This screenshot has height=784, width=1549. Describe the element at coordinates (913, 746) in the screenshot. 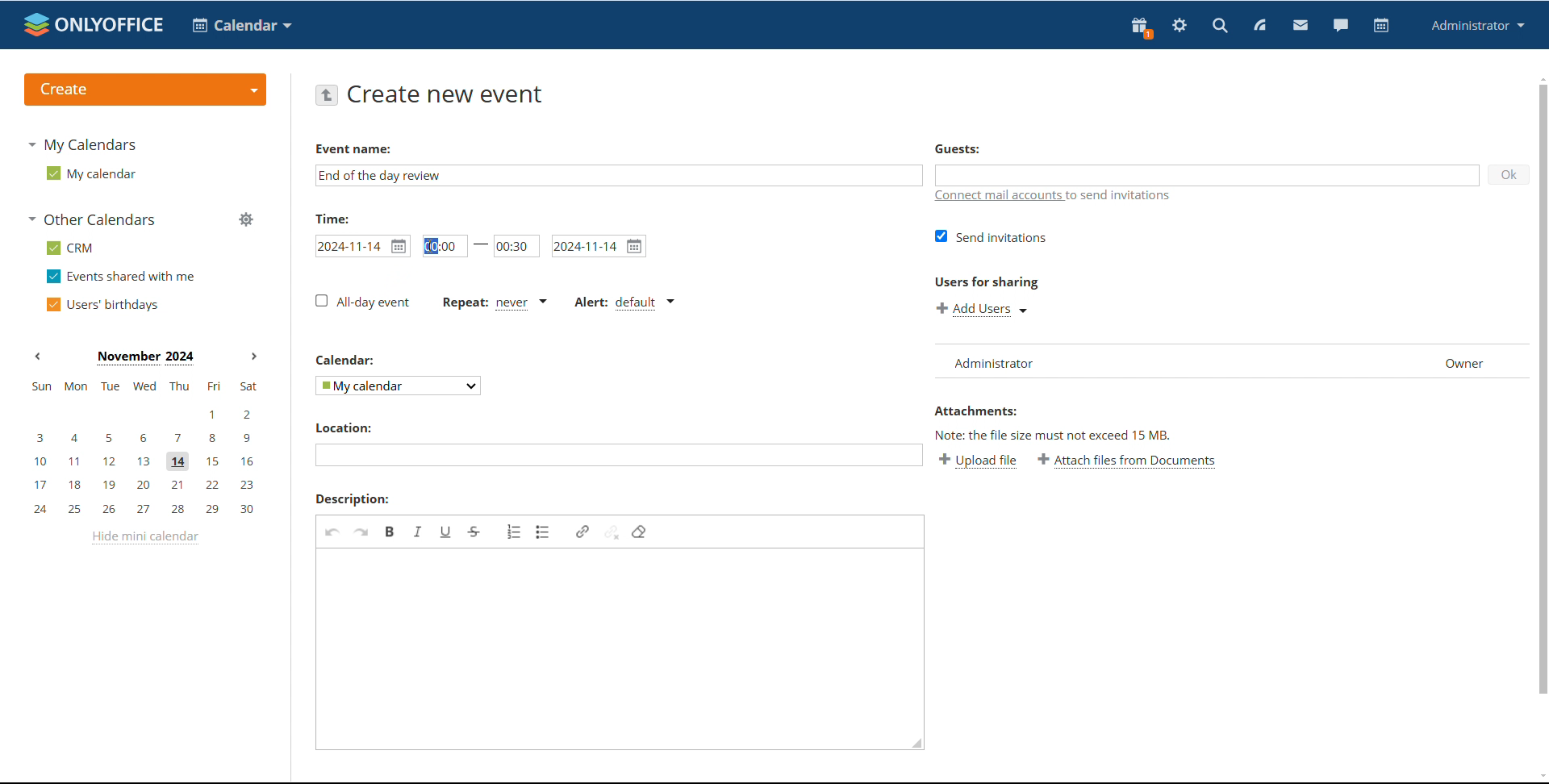

I see `resize box` at that location.